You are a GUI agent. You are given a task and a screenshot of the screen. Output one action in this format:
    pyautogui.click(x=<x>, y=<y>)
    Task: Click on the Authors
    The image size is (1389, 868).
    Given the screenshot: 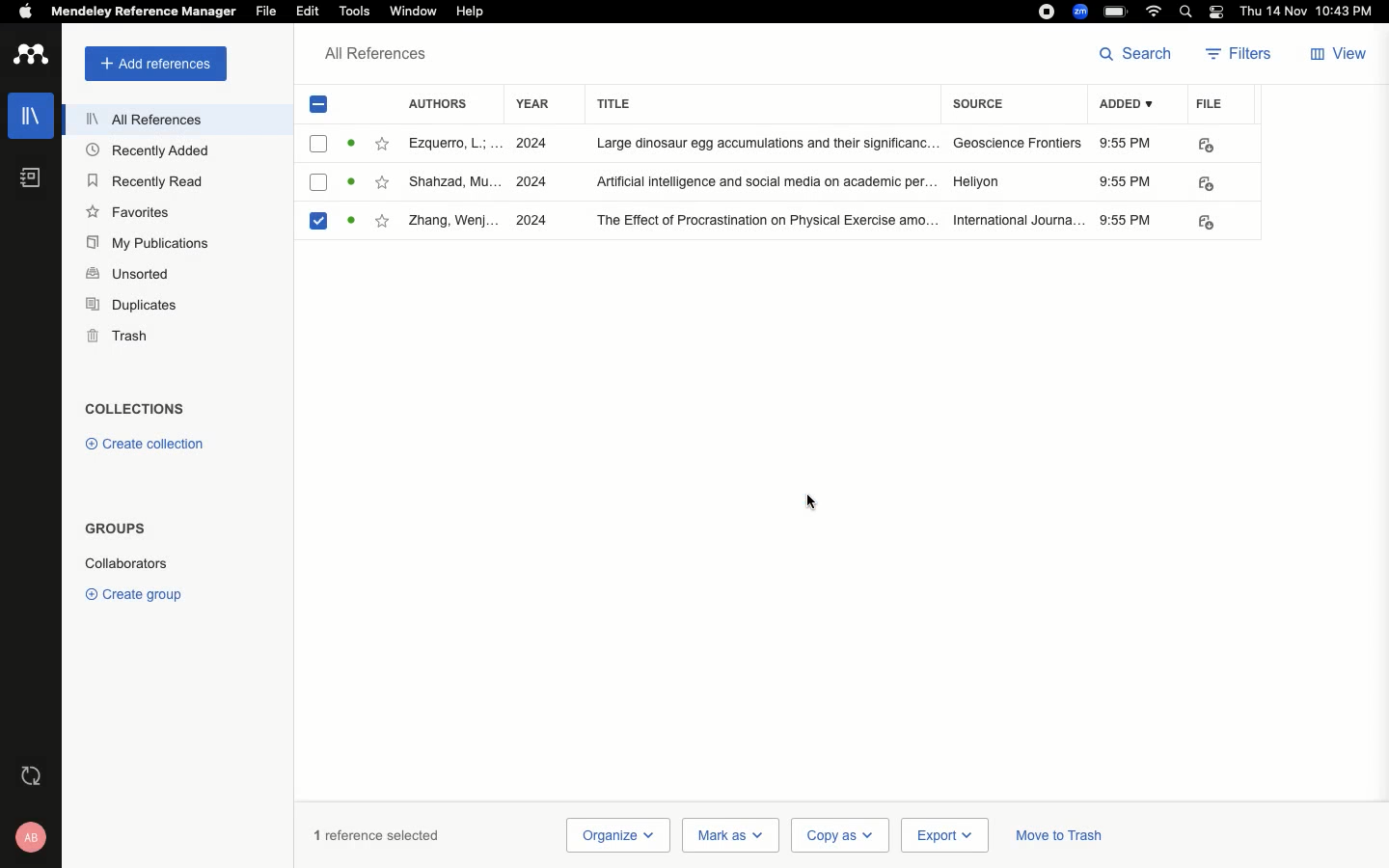 What is the action you would take?
    pyautogui.click(x=445, y=102)
    